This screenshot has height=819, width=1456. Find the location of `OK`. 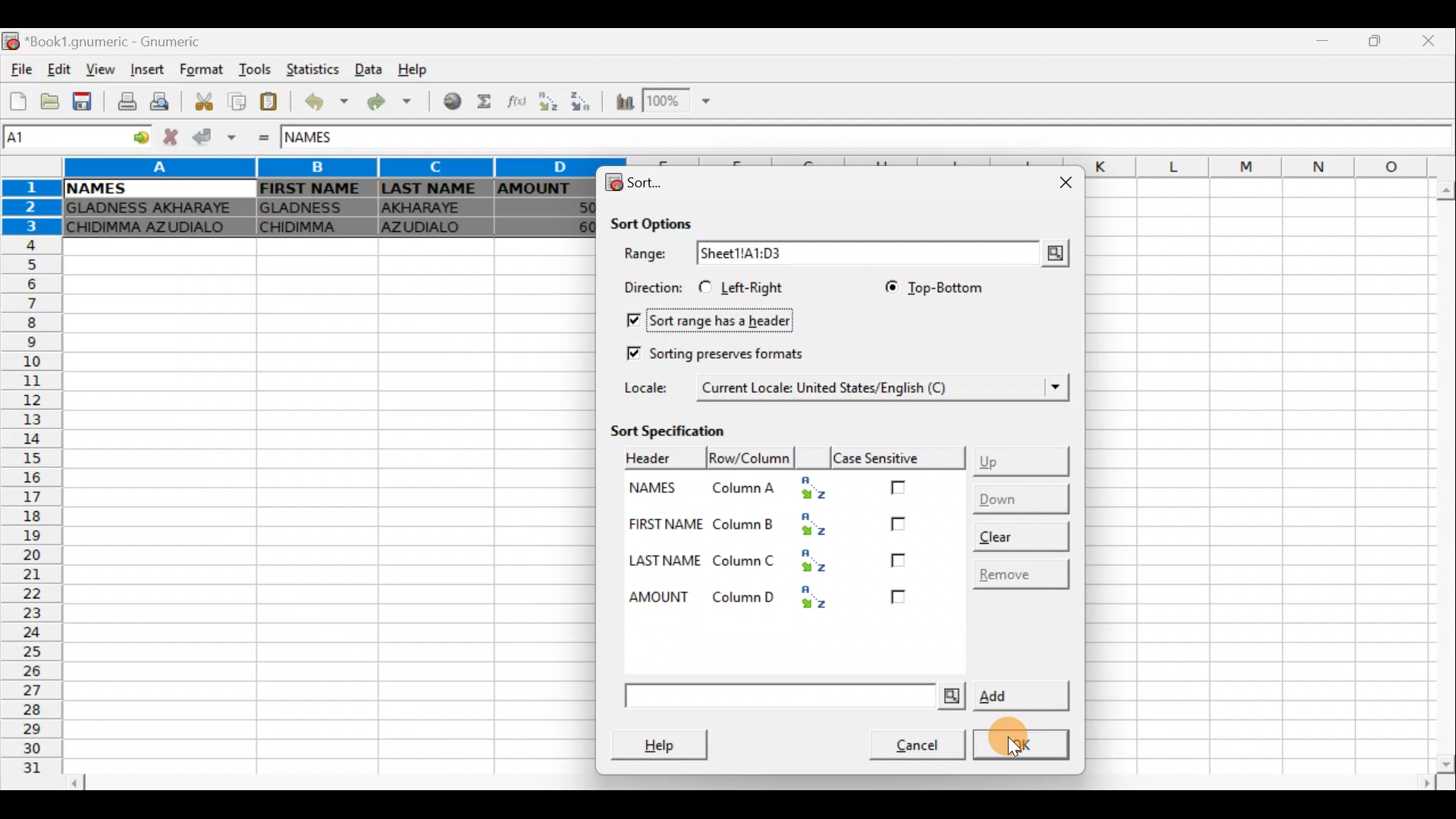

OK is located at coordinates (1024, 745).